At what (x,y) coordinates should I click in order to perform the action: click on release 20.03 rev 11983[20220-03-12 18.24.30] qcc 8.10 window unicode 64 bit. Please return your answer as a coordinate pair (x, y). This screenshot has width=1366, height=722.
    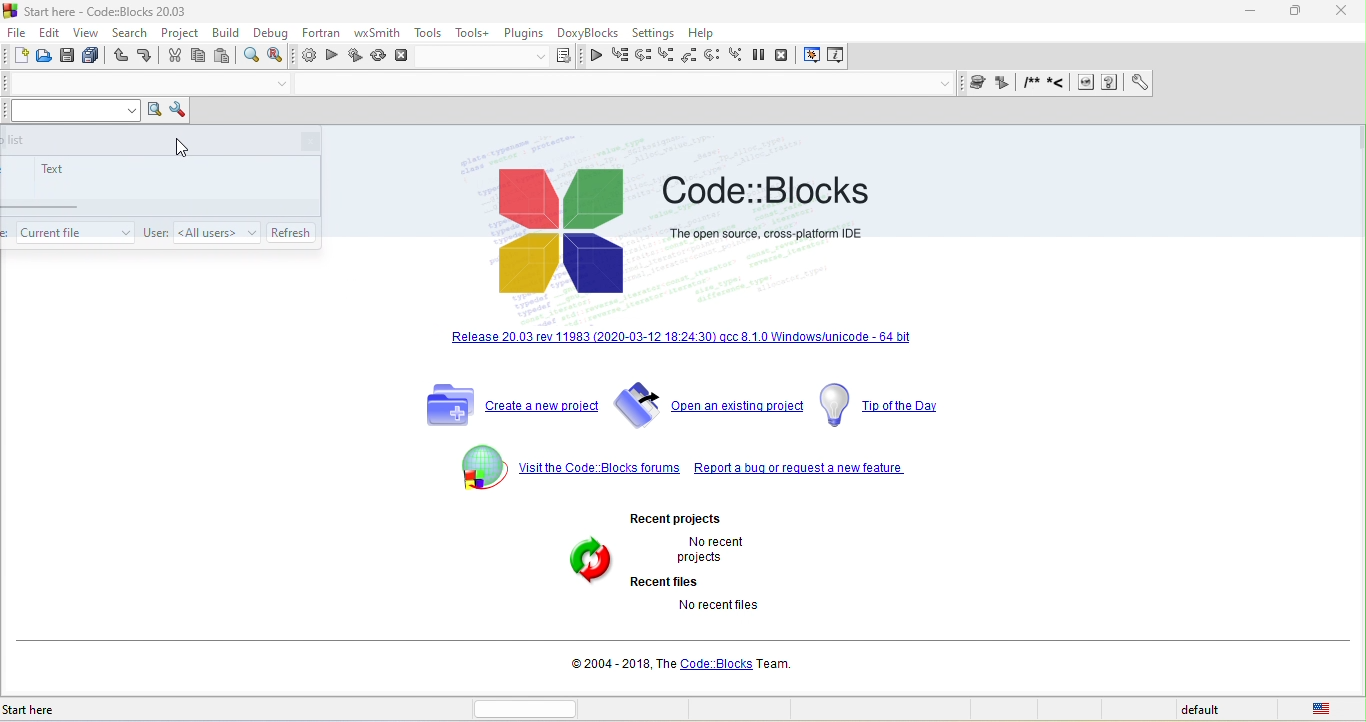
    Looking at the image, I should click on (683, 341).